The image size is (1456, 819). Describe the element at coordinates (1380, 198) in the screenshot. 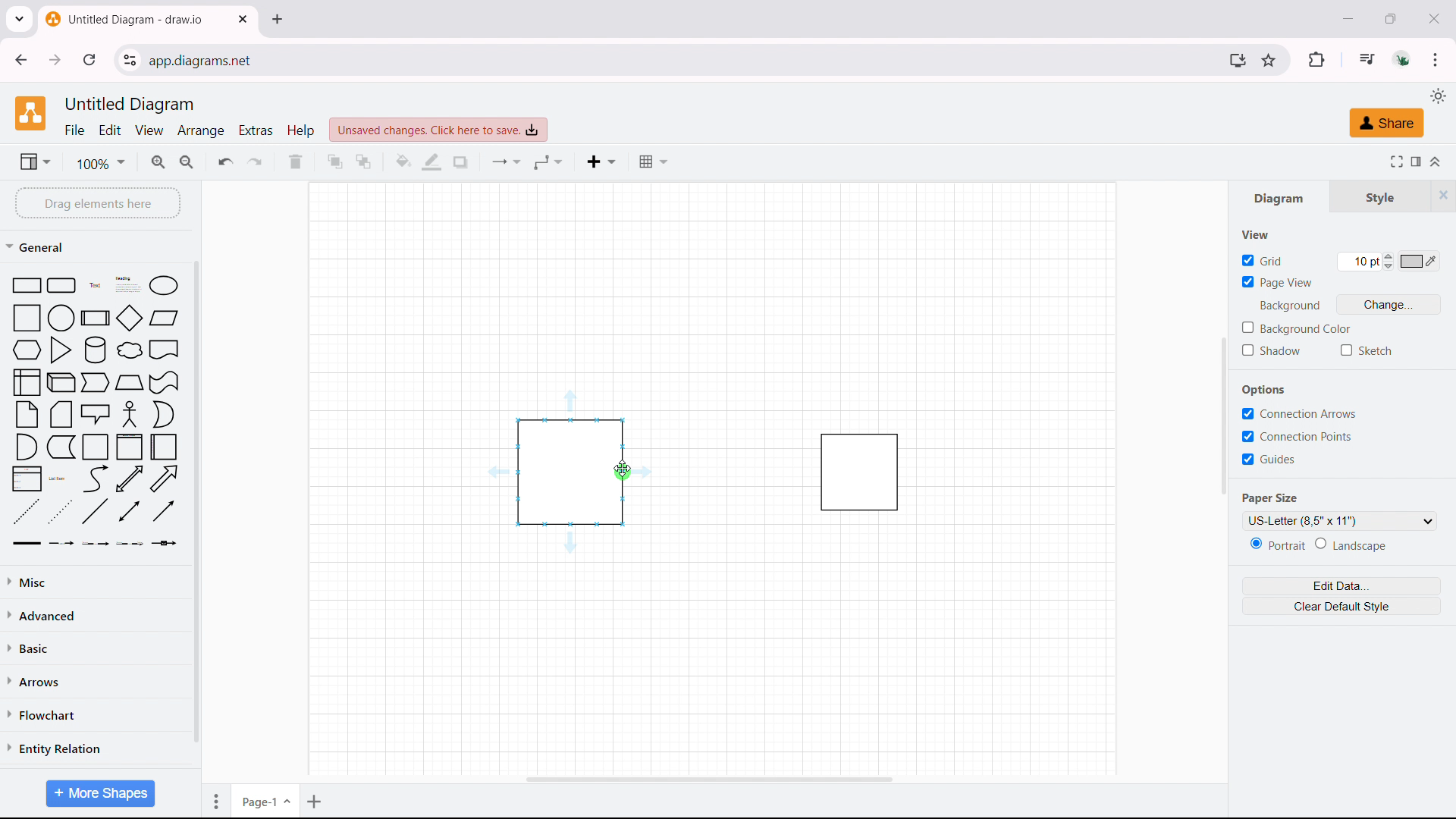

I see `style` at that location.